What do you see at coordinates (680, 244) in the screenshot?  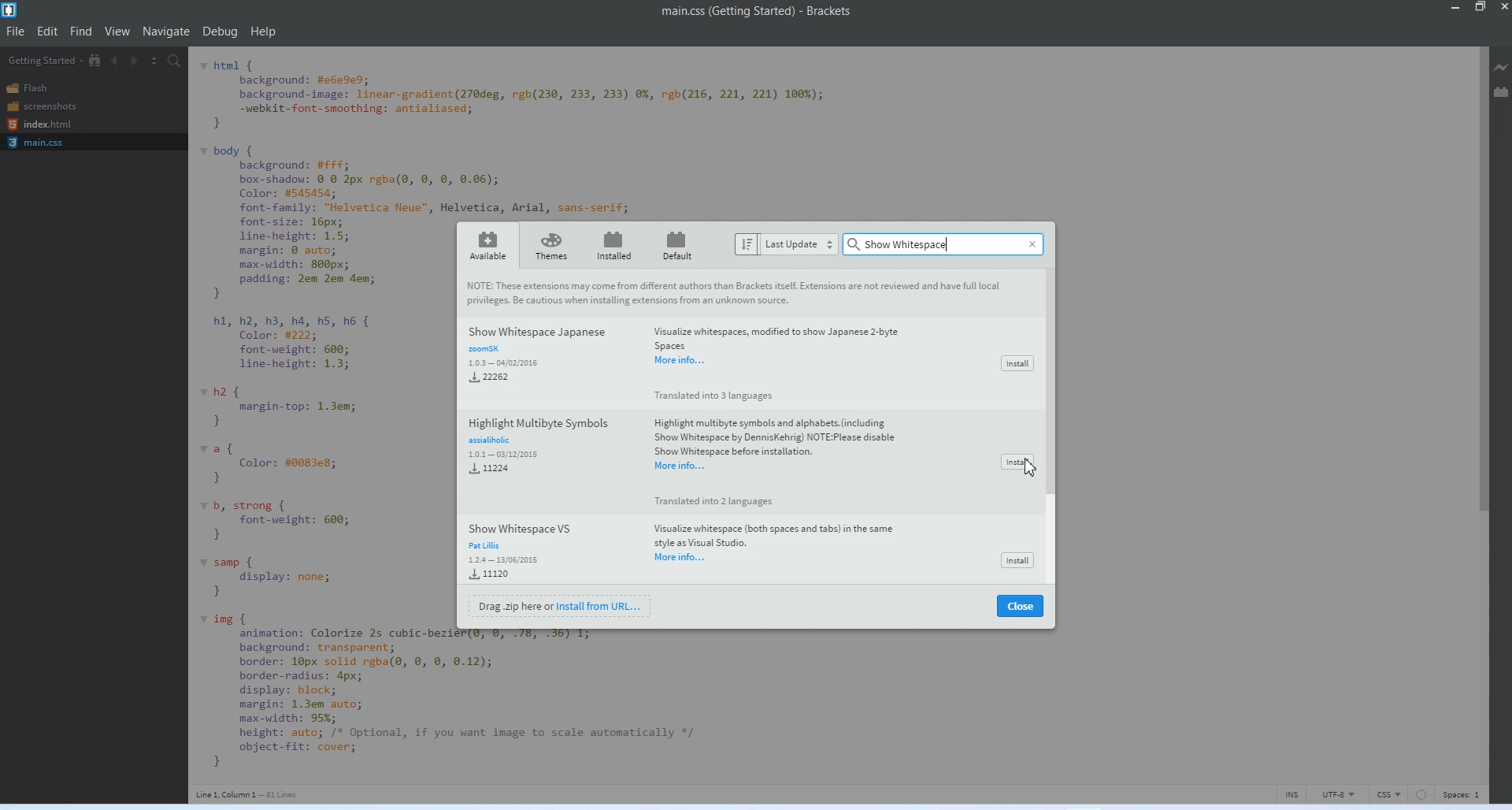 I see `Default` at bounding box center [680, 244].